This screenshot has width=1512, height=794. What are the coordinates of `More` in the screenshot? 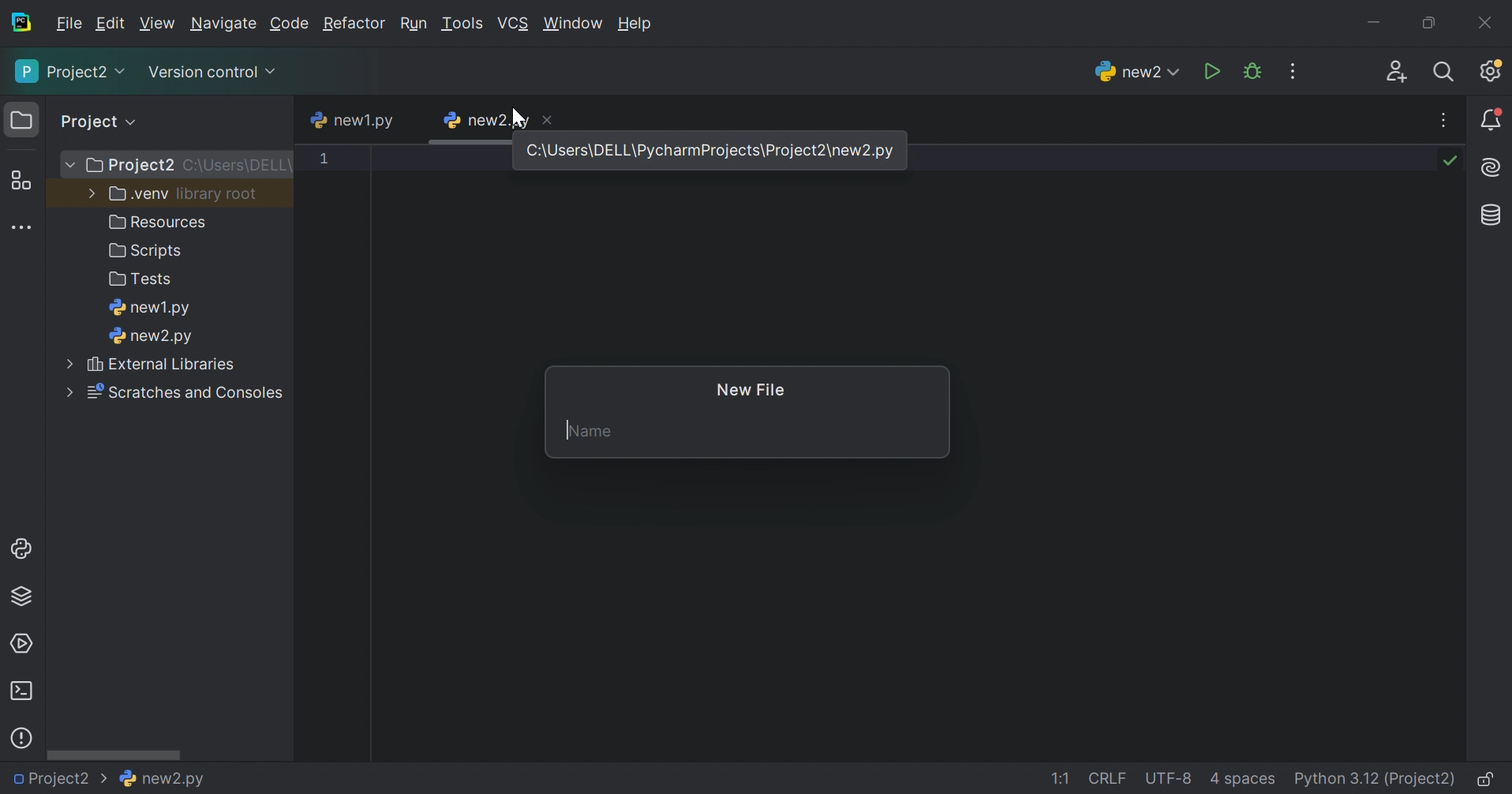 It's located at (88, 194).